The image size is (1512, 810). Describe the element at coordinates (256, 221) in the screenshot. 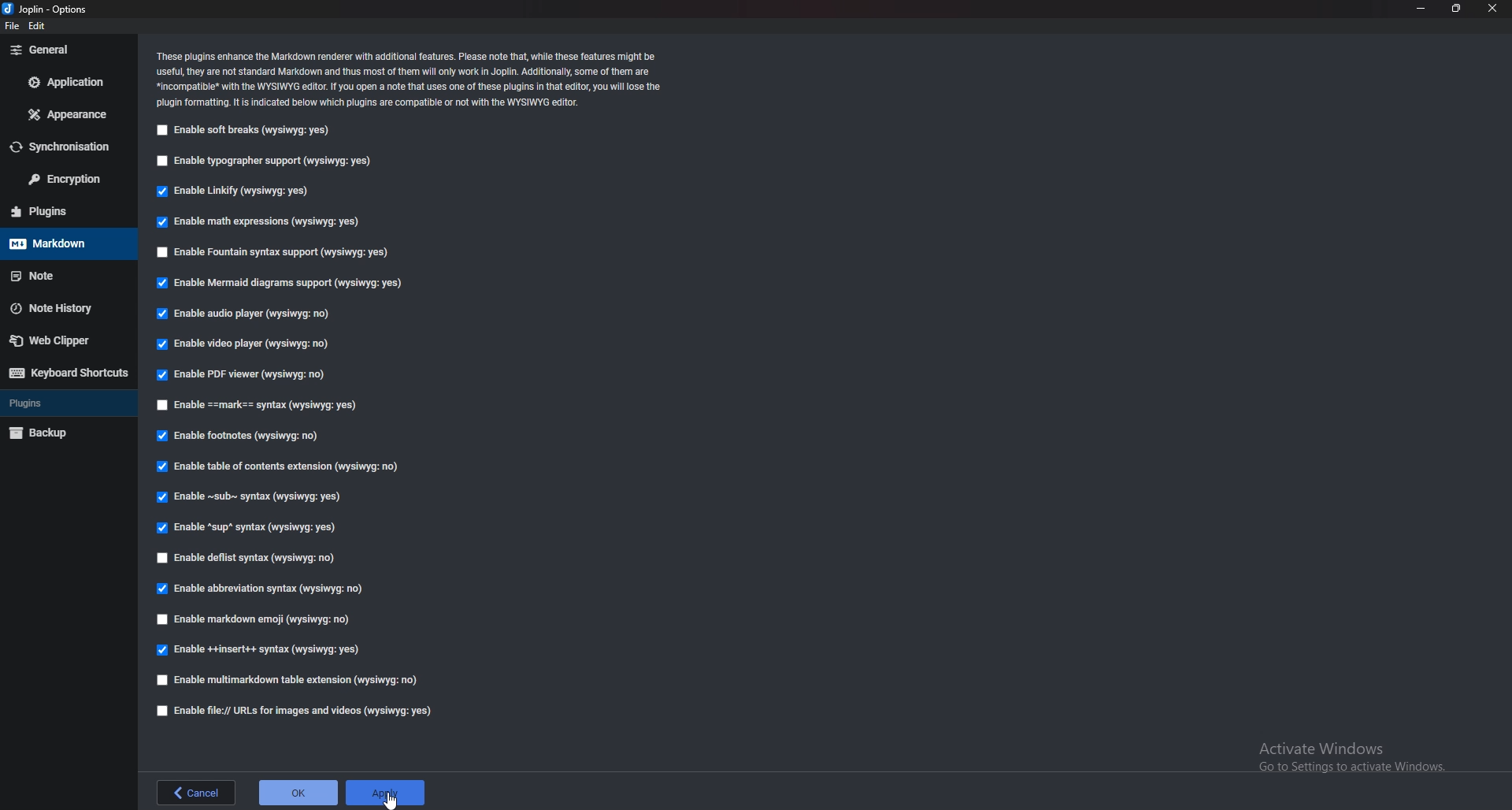

I see `Enable math expressions` at that location.